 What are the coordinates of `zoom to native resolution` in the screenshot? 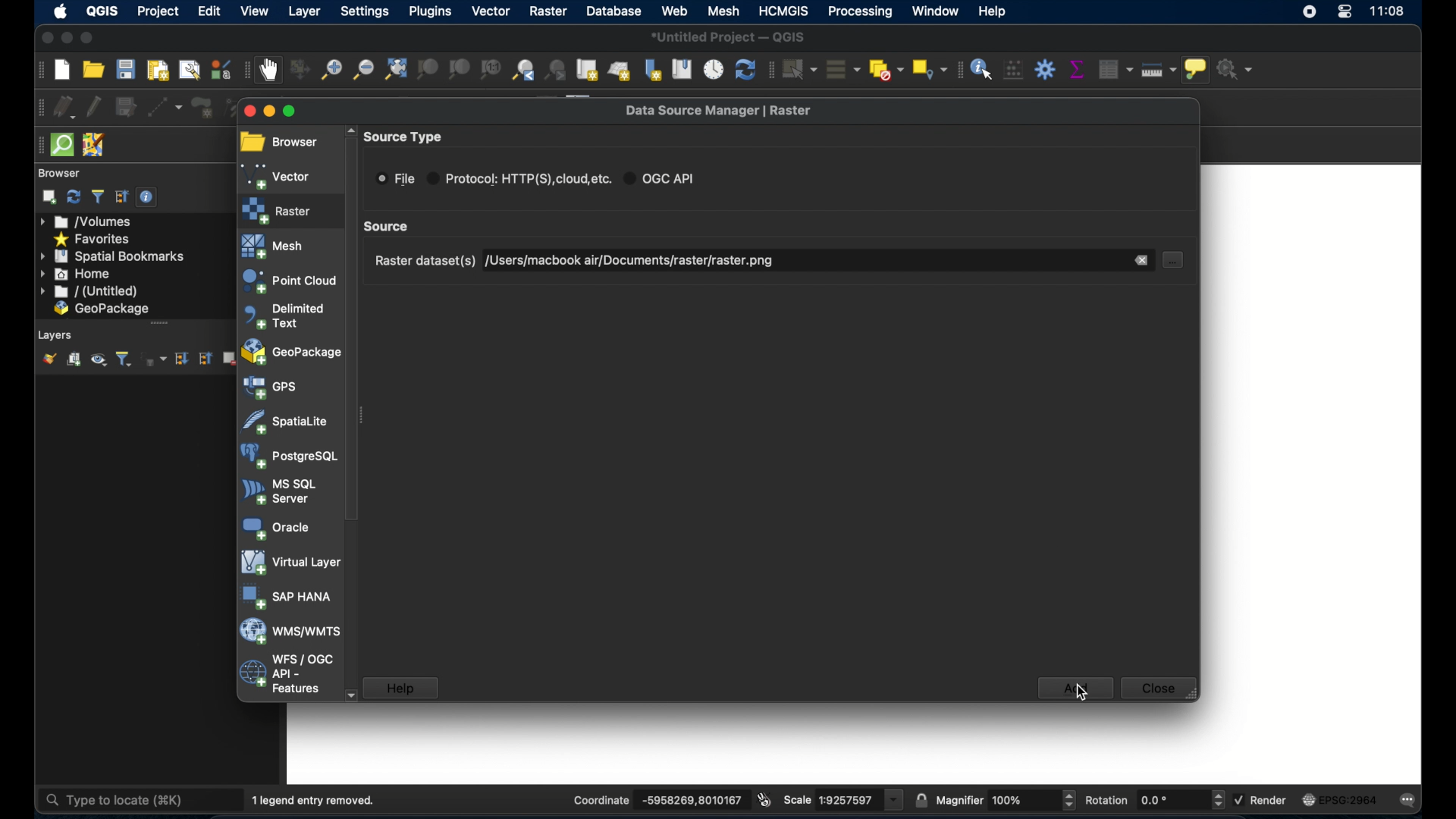 It's located at (491, 69).